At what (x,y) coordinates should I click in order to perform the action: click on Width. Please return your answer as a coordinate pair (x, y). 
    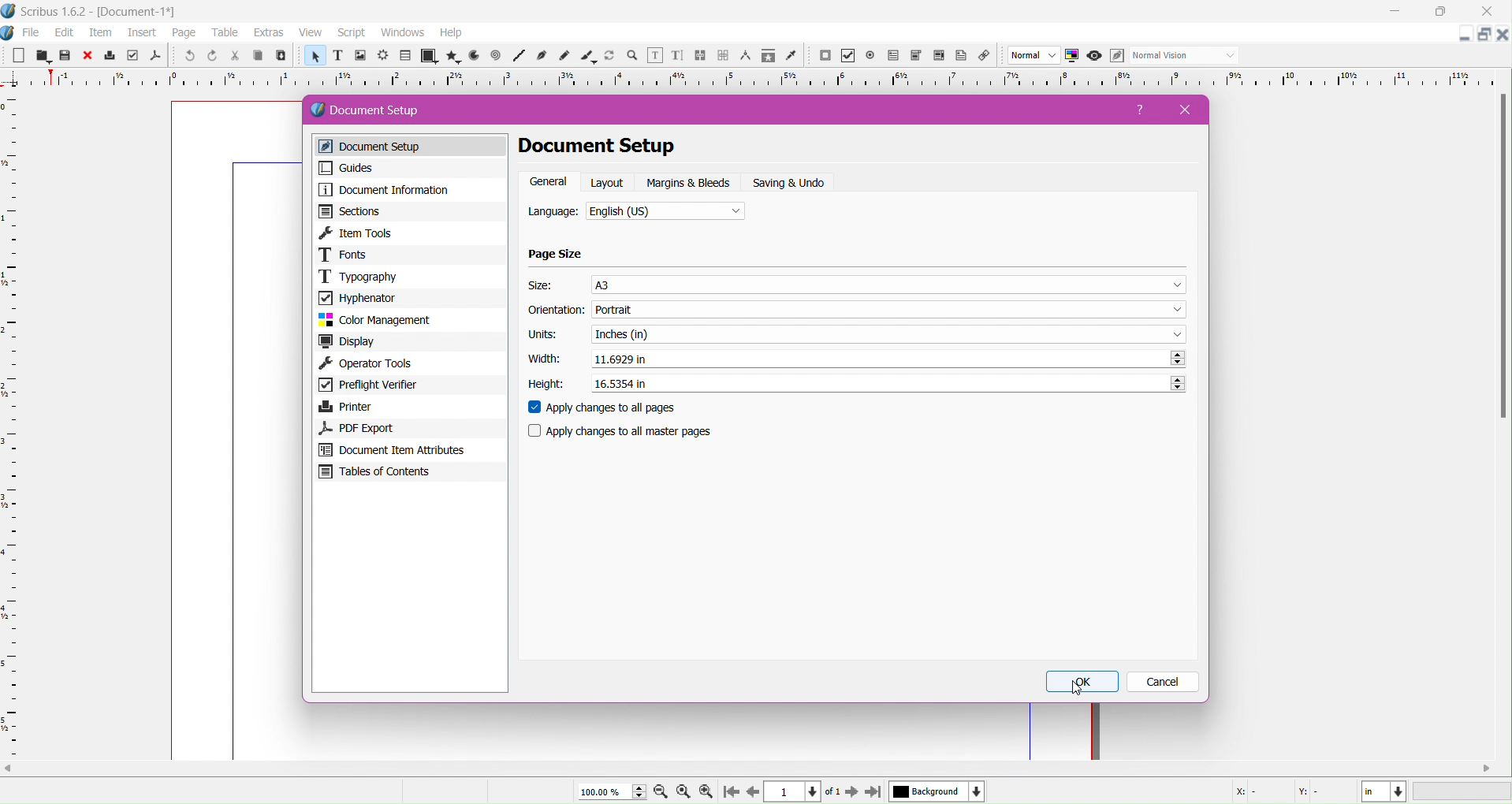
    Looking at the image, I should click on (542, 359).